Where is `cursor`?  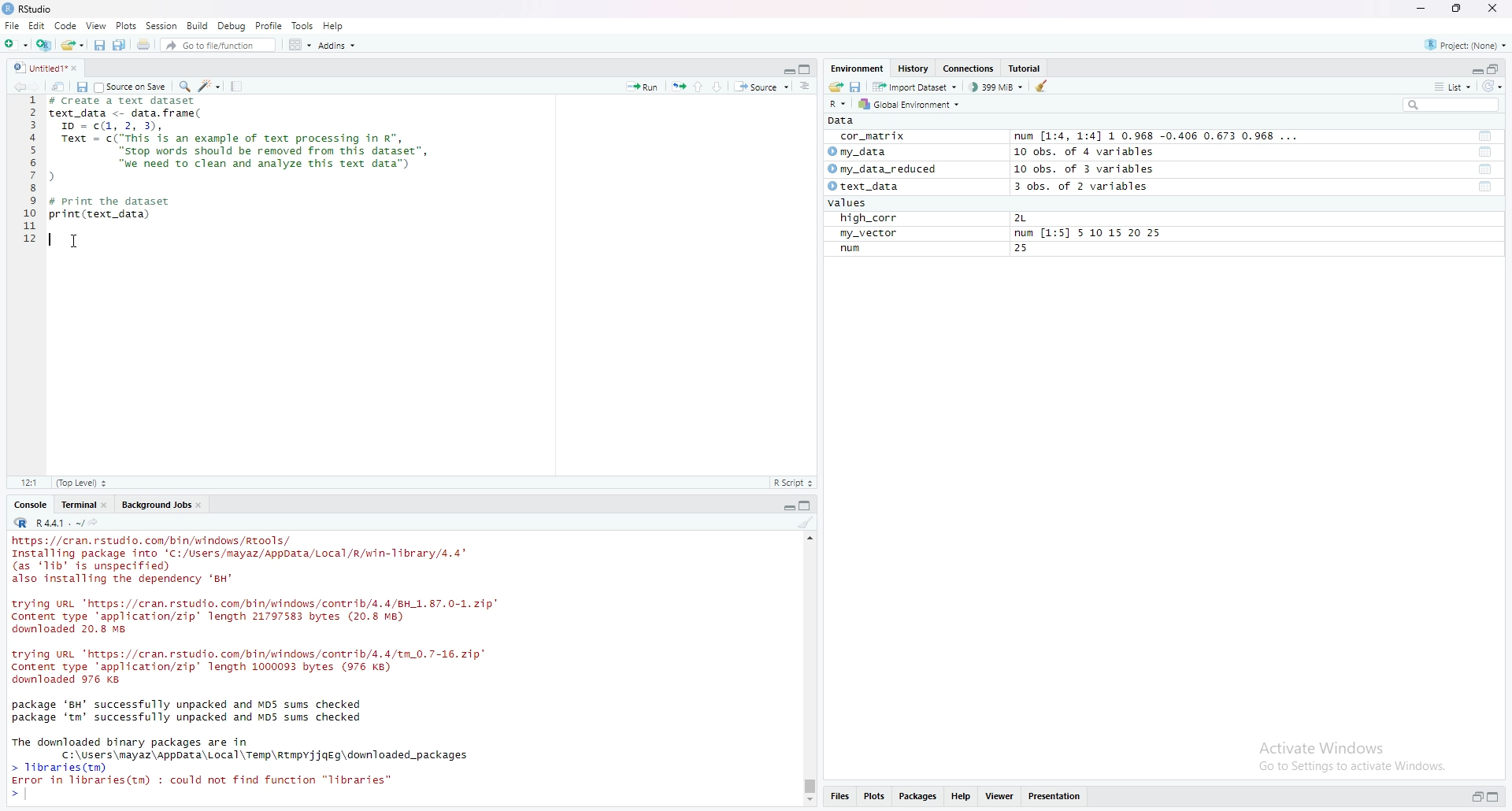
cursor is located at coordinates (78, 242).